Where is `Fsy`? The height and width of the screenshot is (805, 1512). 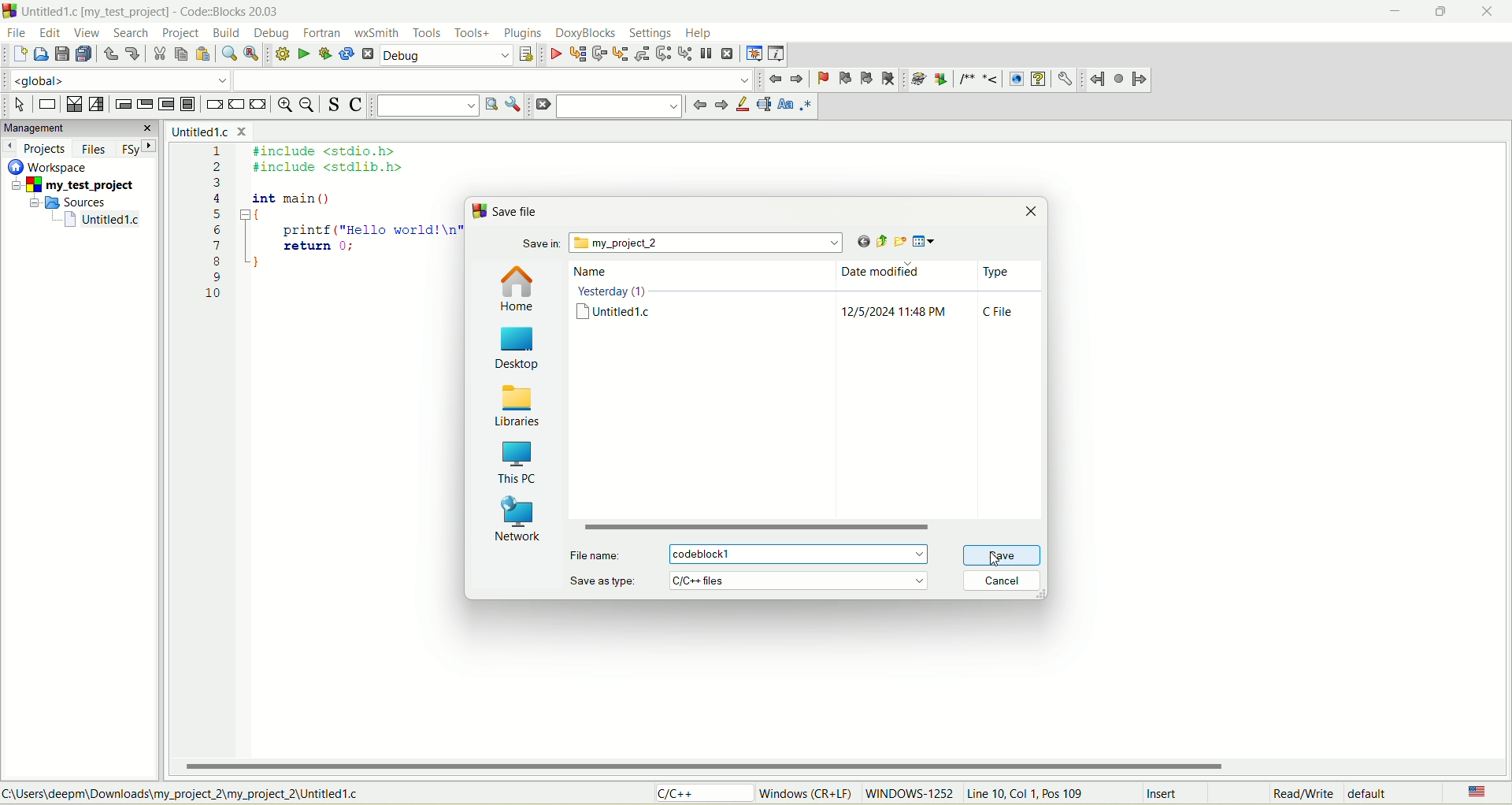
Fsy is located at coordinates (138, 147).